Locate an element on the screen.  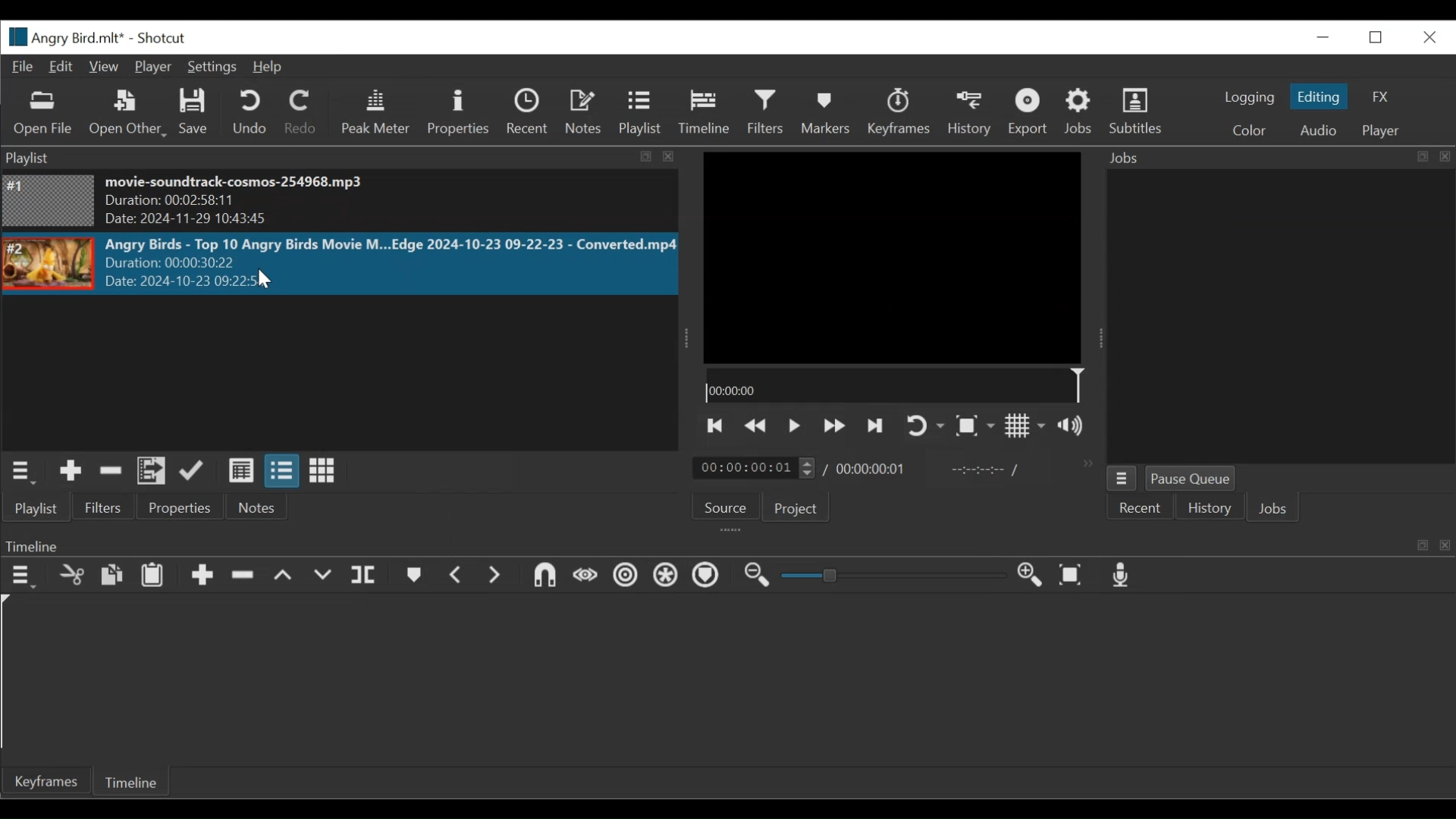
View as files is located at coordinates (281, 472).